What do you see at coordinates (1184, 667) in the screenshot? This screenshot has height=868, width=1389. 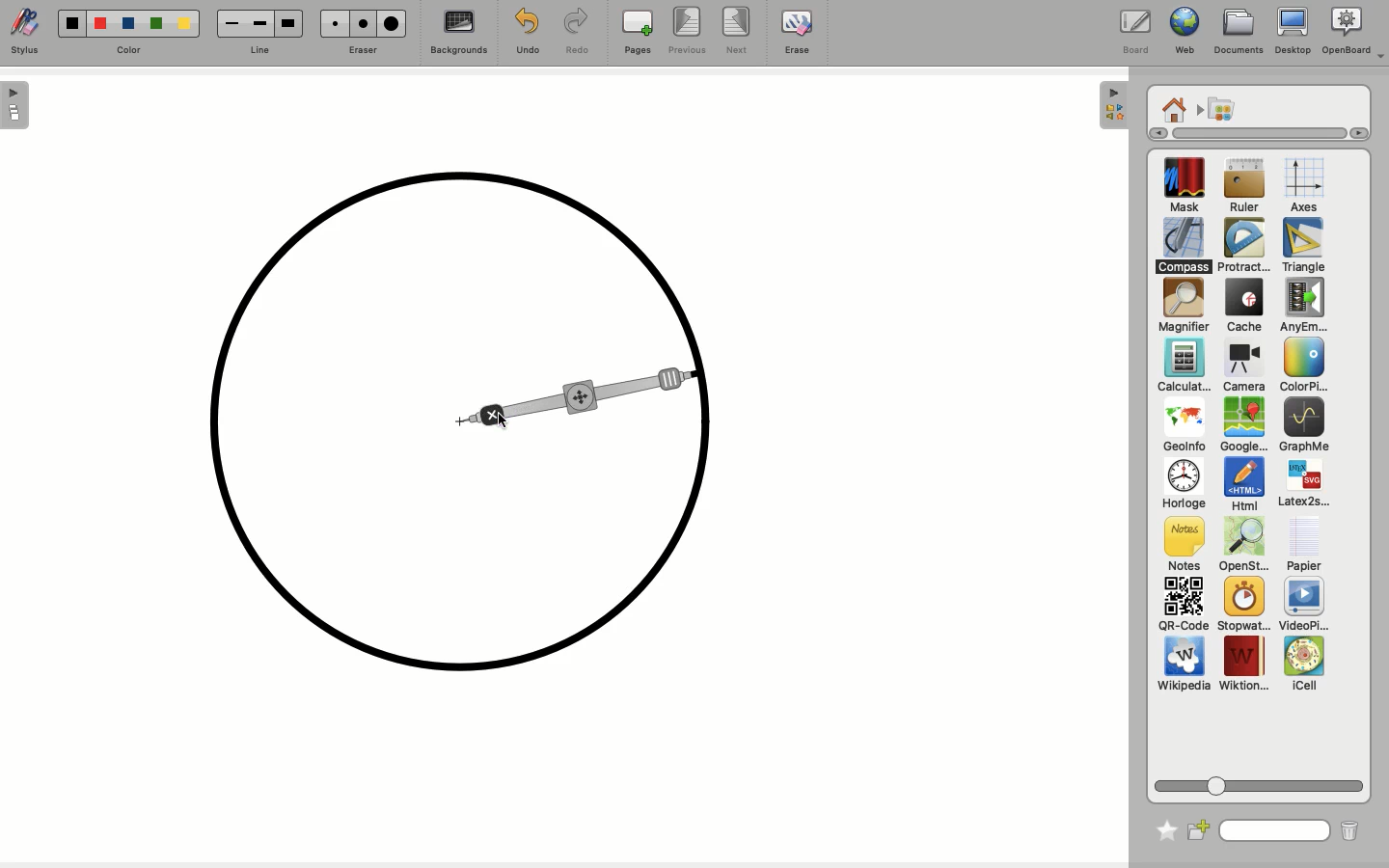 I see `Wikipedia` at bounding box center [1184, 667].